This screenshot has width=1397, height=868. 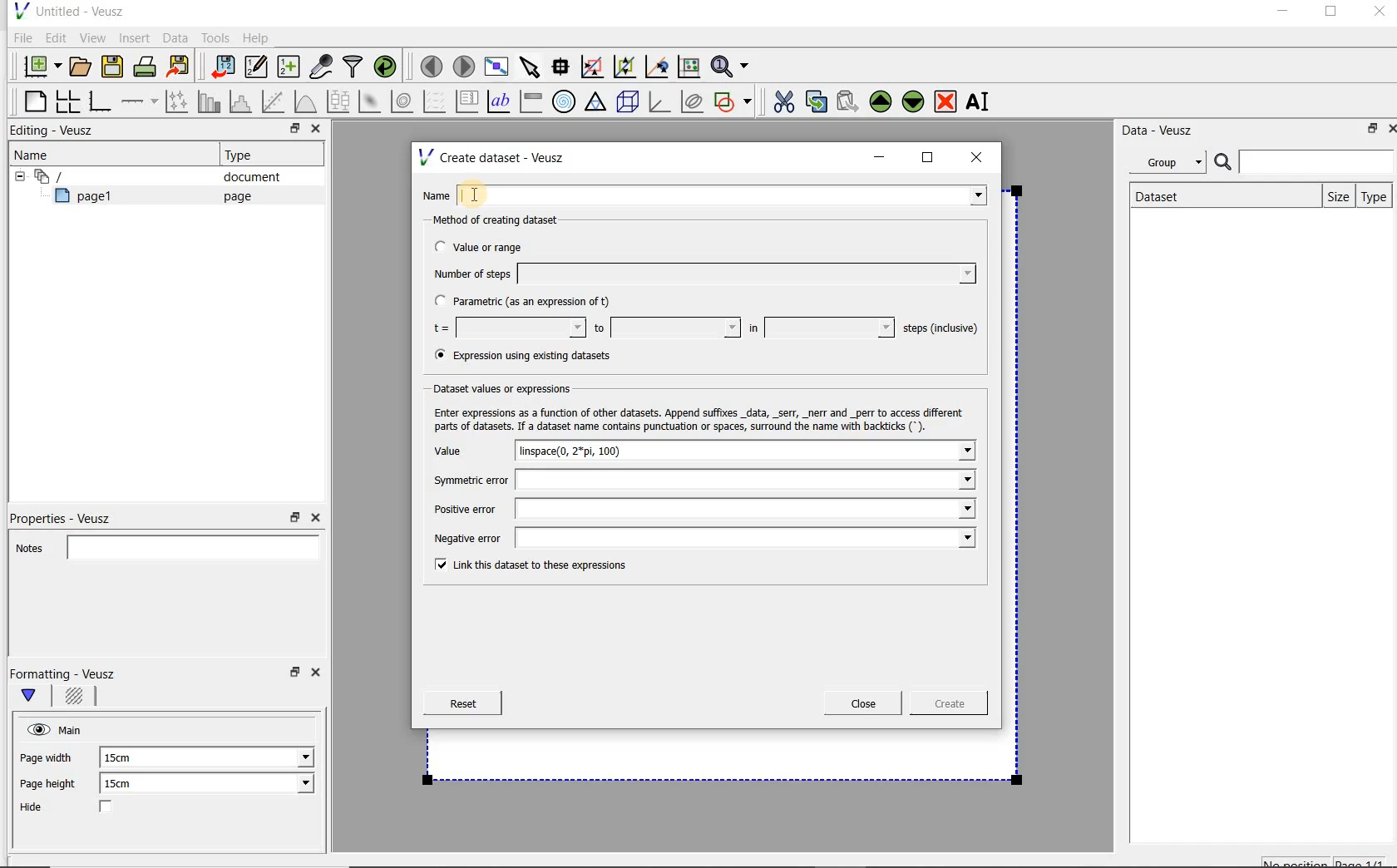 I want to click on 15cm, so click(x=126, y=758).